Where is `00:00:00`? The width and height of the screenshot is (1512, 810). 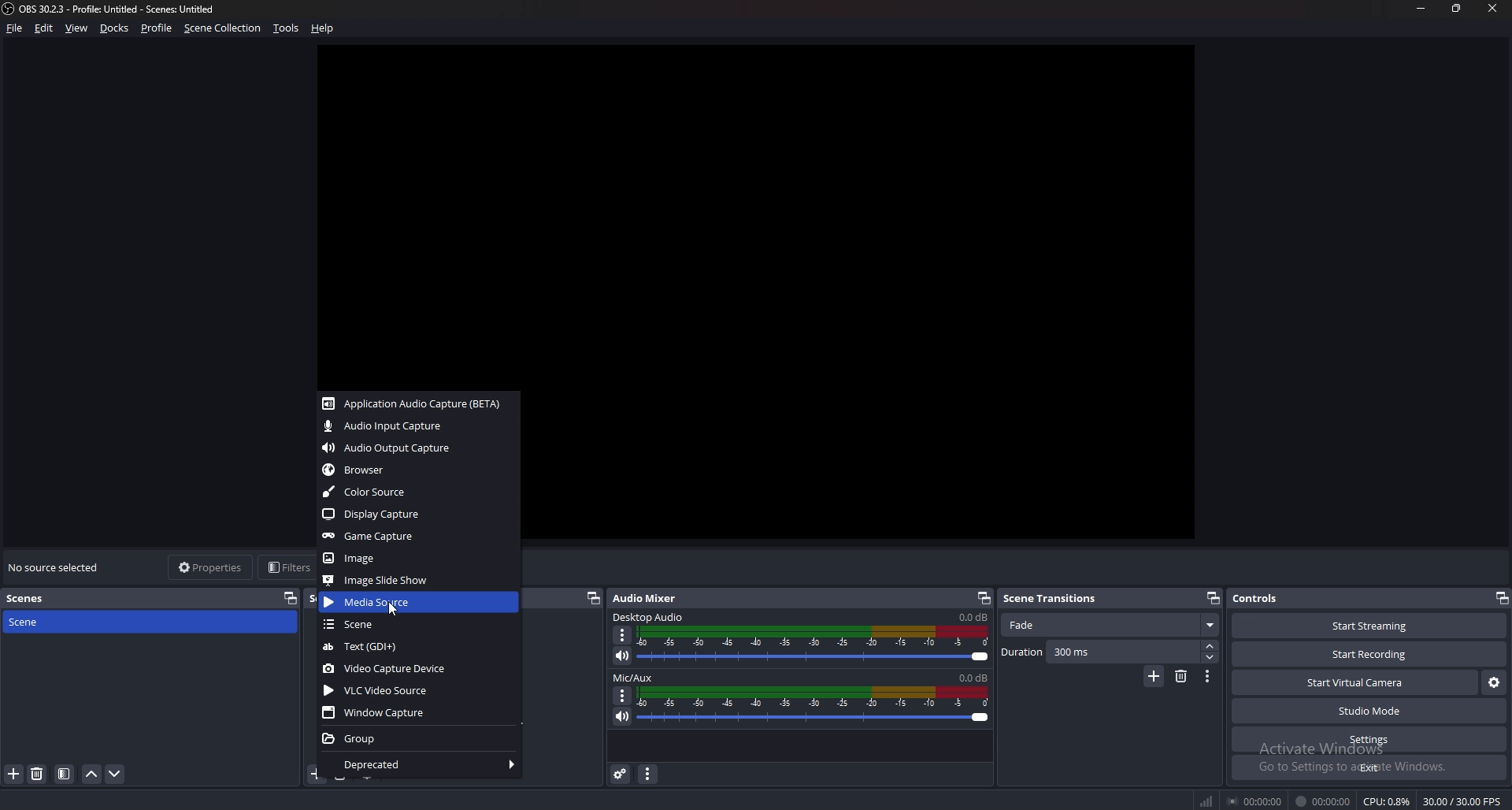
00:00:00 is located at coordinates (1257, 801).